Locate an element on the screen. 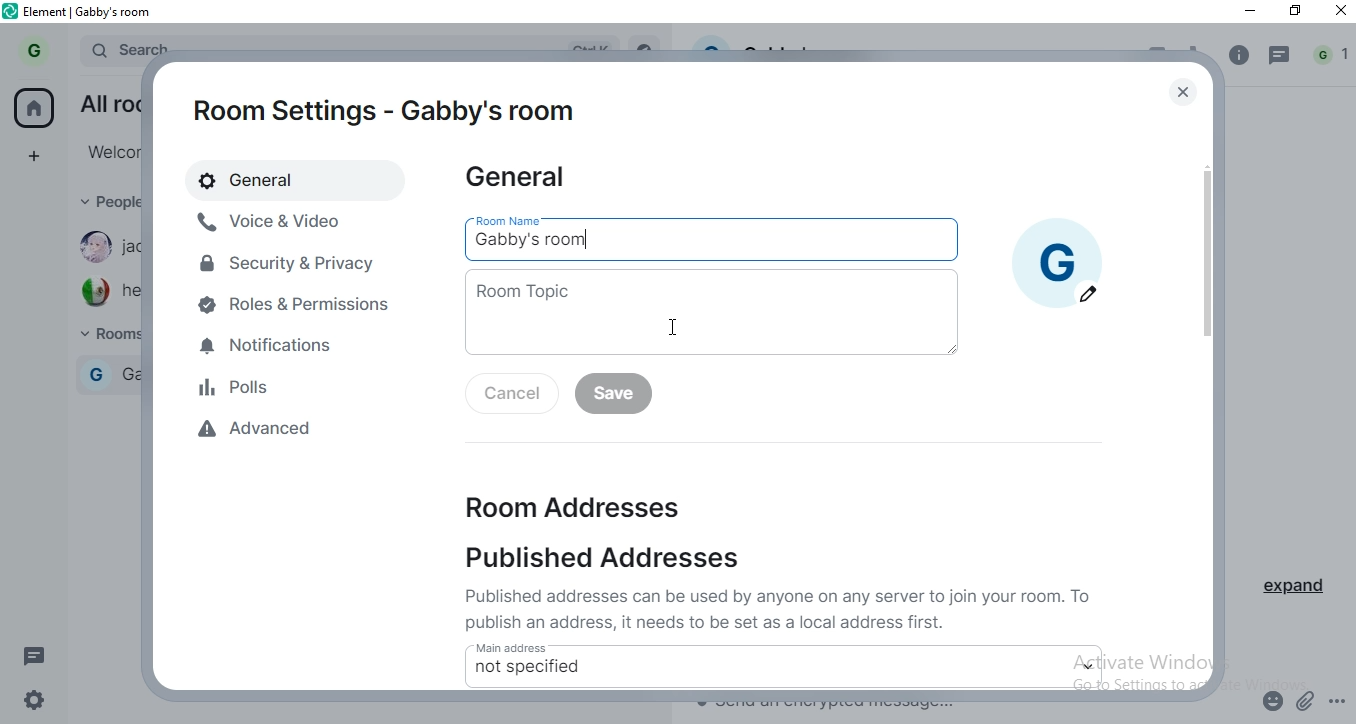  scroll bar is located at coordinates (1206, 284).